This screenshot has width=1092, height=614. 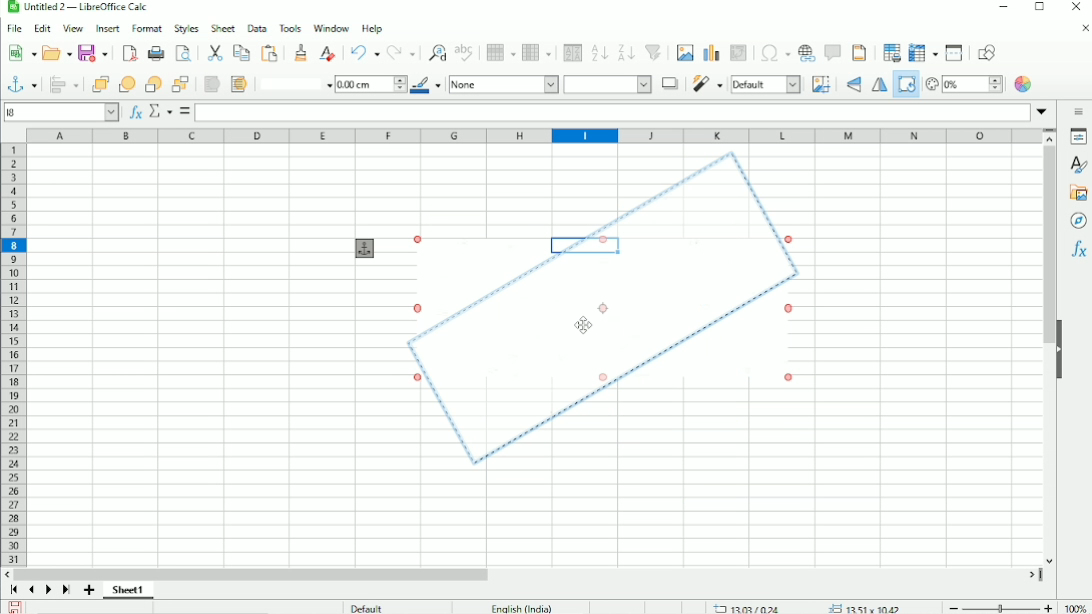 What do you see at coordinates (606, 310) in the screenshot?
I see `Image rotated` at bounding box center [606, 310].